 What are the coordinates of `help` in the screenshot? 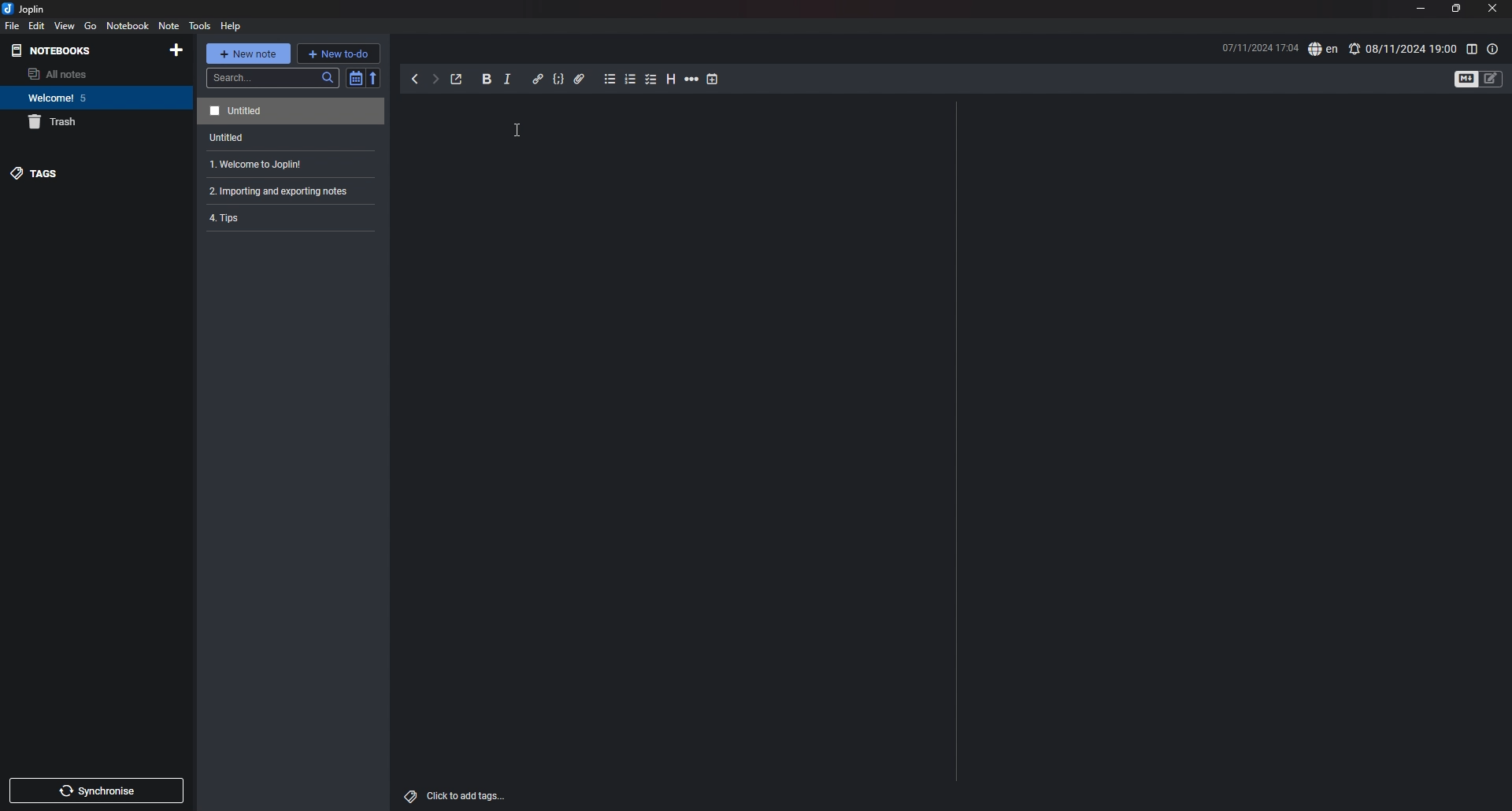 It's located at (232, 27).